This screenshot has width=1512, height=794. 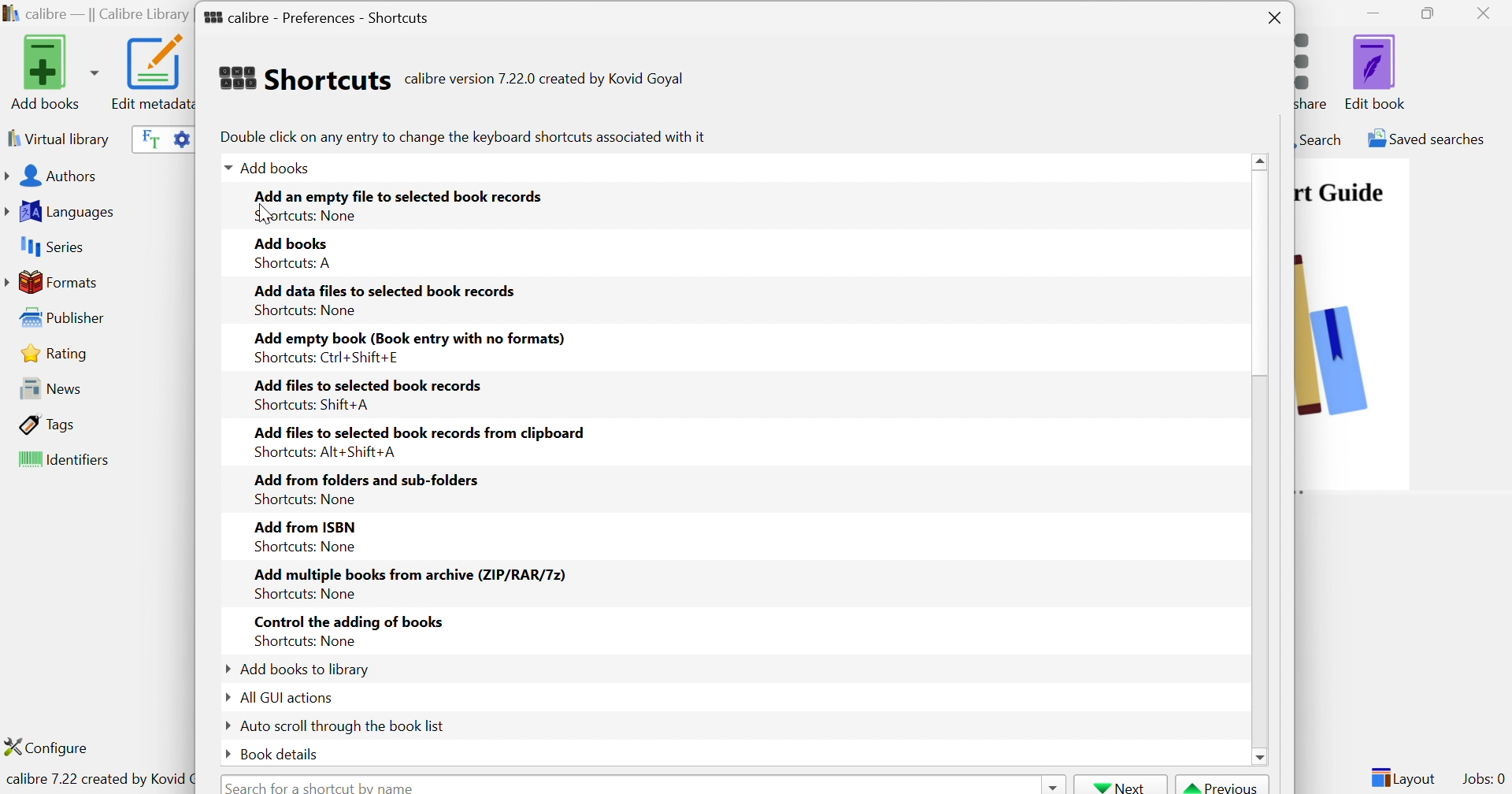 I want to click on Shortcuts: None, so click(x=306, y=594).